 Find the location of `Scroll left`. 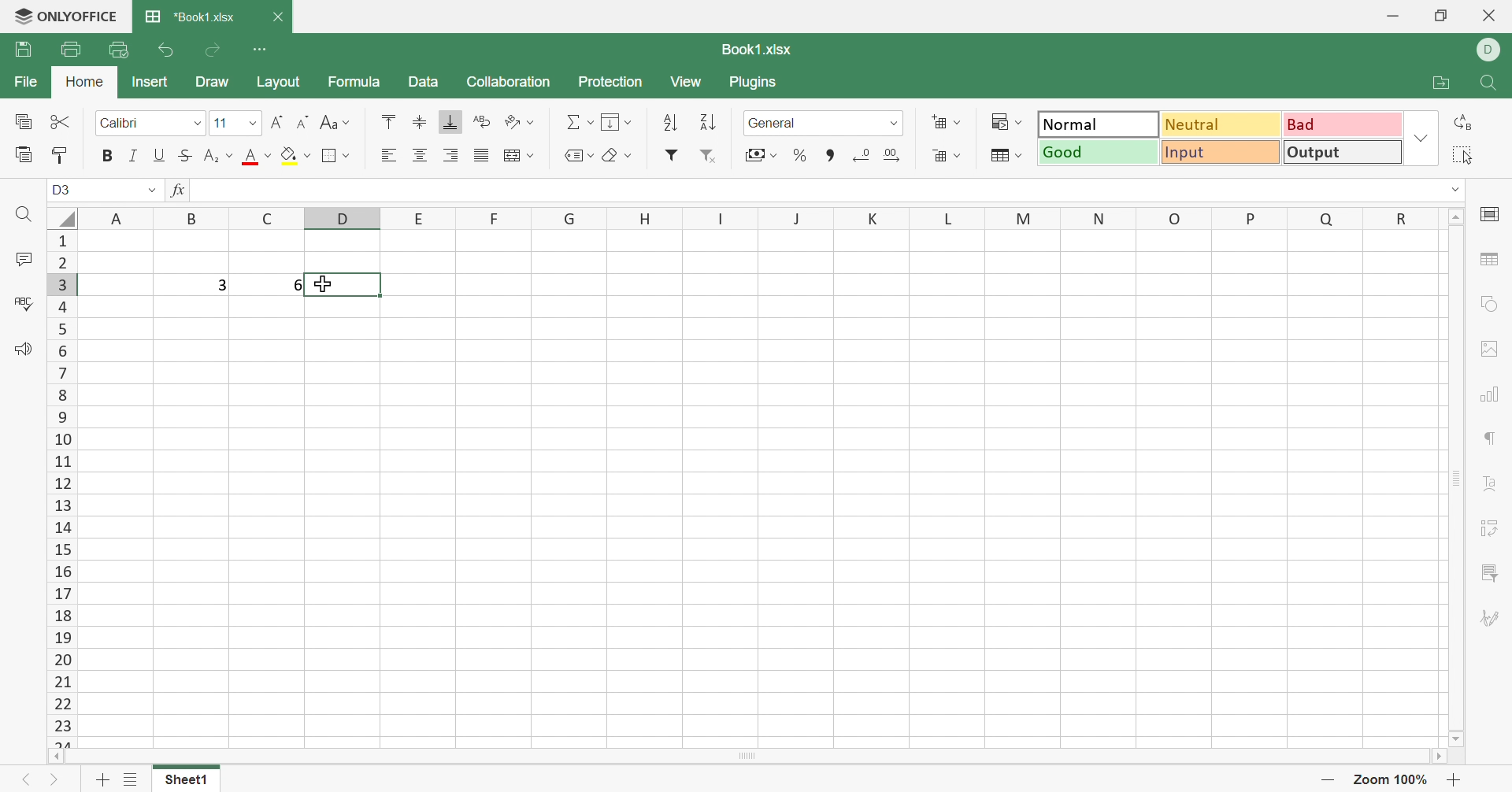

Scroll left is located at coordinates (54, 760).